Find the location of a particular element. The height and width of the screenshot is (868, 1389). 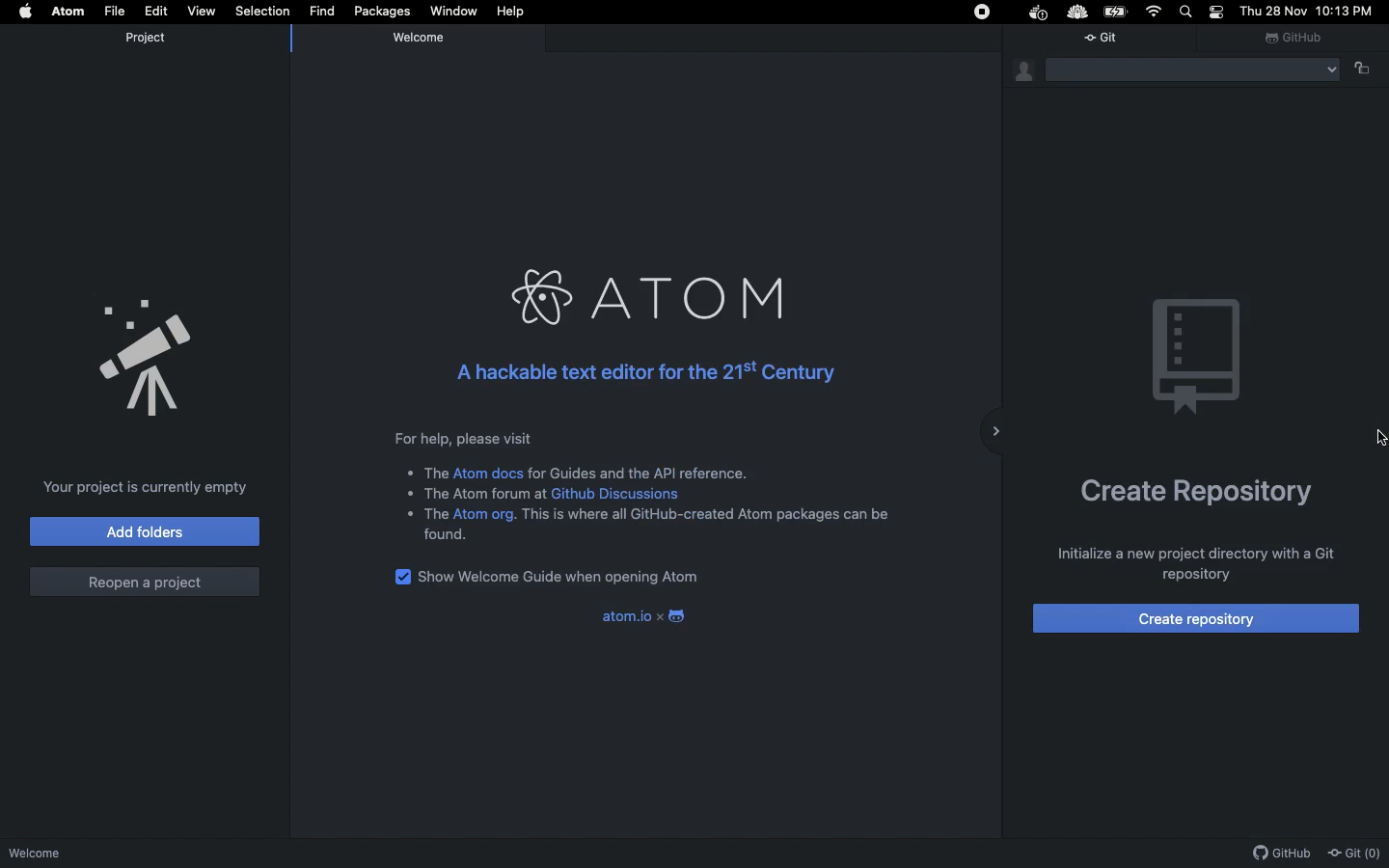

For help, please visit
* The Atom docs for Guides and the API reference.
* The Atom forum at Github Discussions
* The Atom org. This is where all GitHub-created Atom packages can be
found. is located at coordinates (651, 486).